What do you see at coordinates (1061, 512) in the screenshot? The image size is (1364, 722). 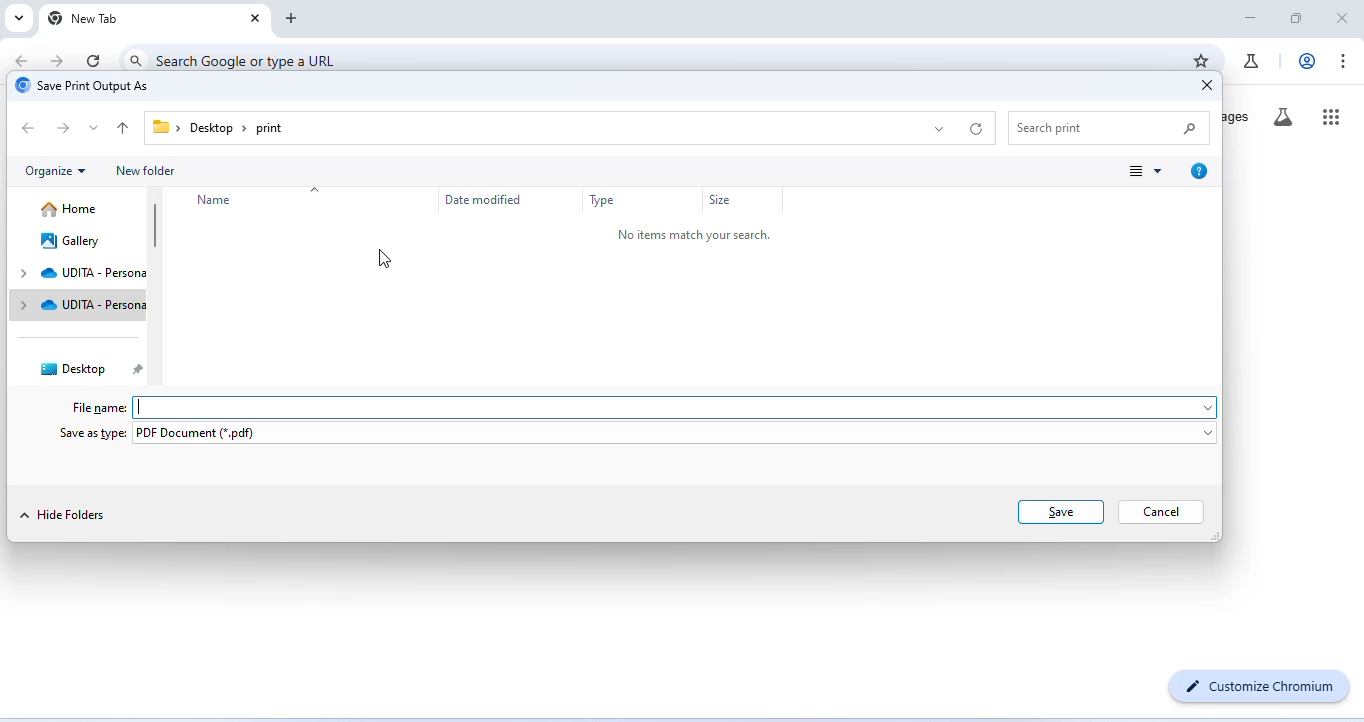 I see `save` at bounding box center [1061, 512].